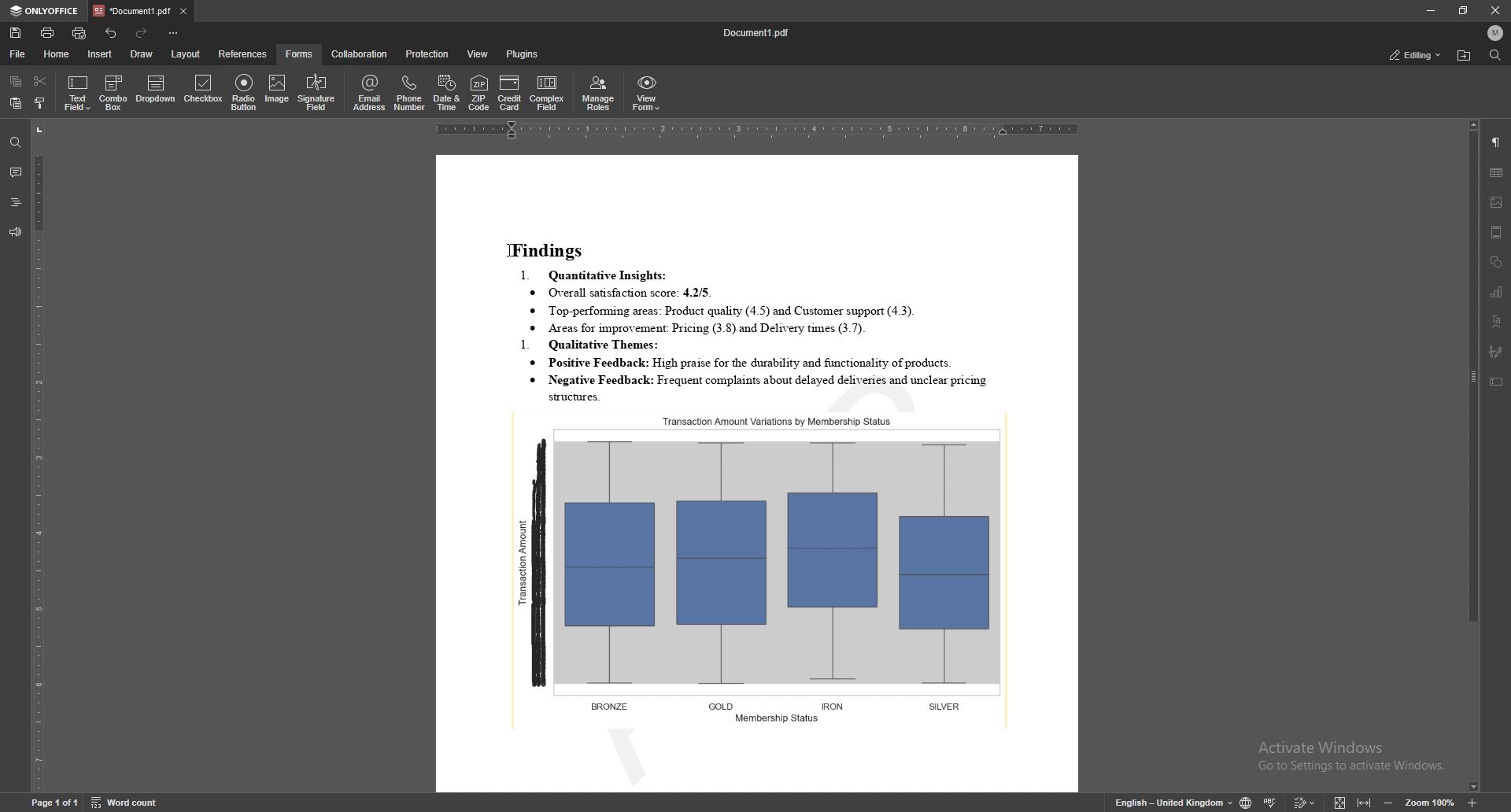 Image resolution: width=1511 pixels, height=812 pixels. Describe the element at coordinates (300, 54) in the screenshot. I see `forms` at that location.